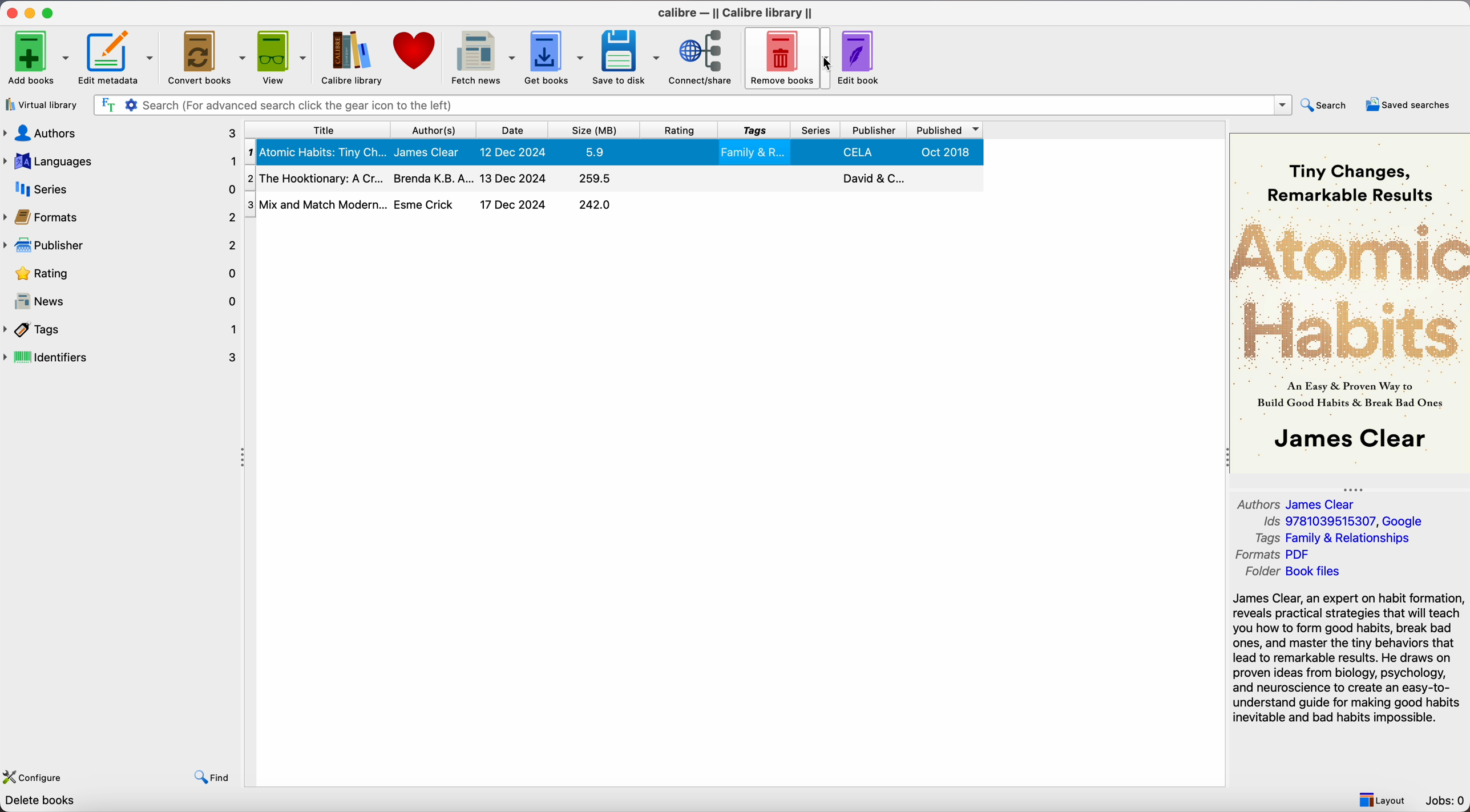  Describe the element at coordinates (785, 56) in the screenshot. I see `remove books` at that location.